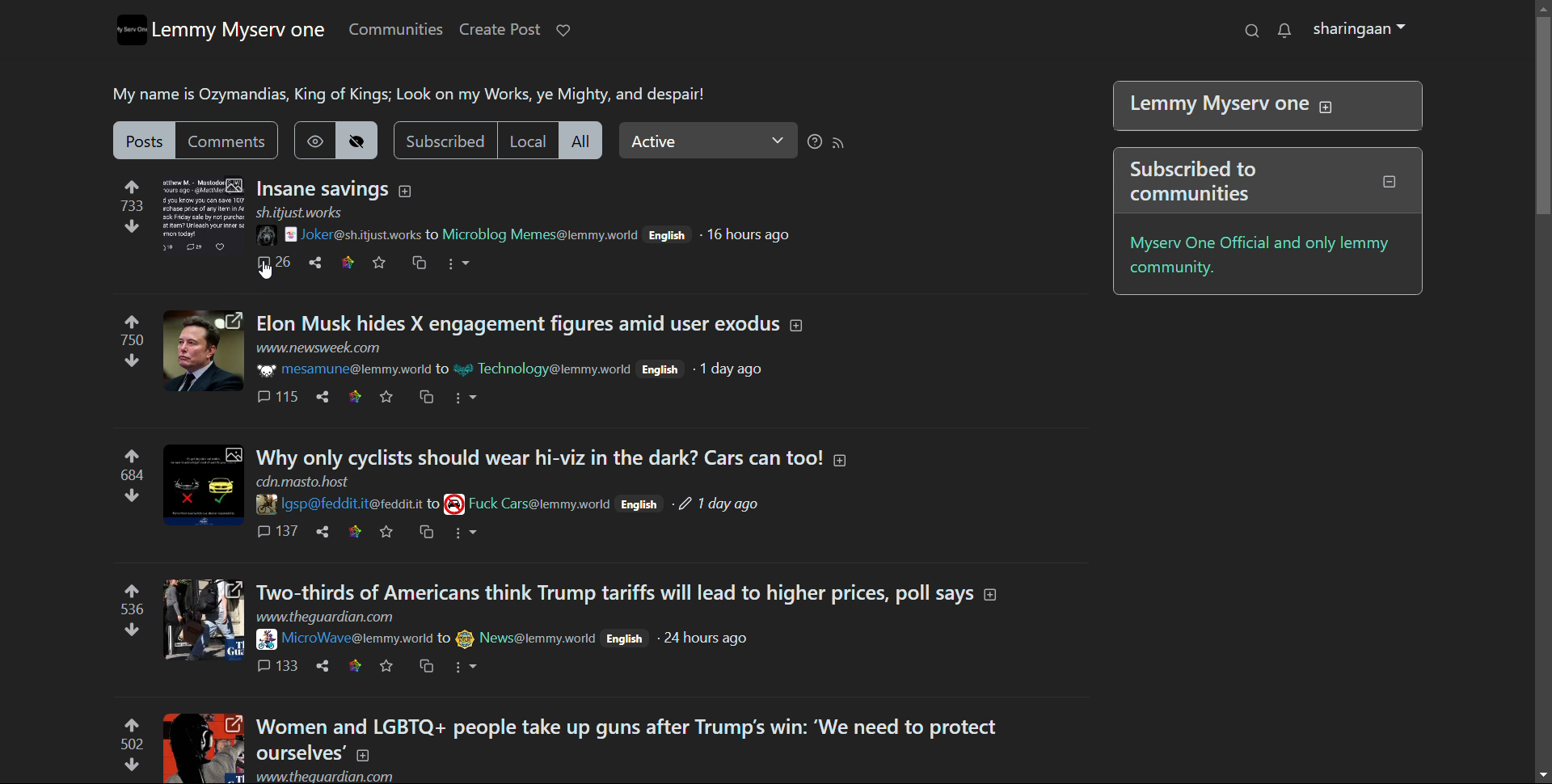  What do you see at coordinates (1211, 186) in the screenshot?
I see `Subscribed to communities` at bounding box center [1211, 186].